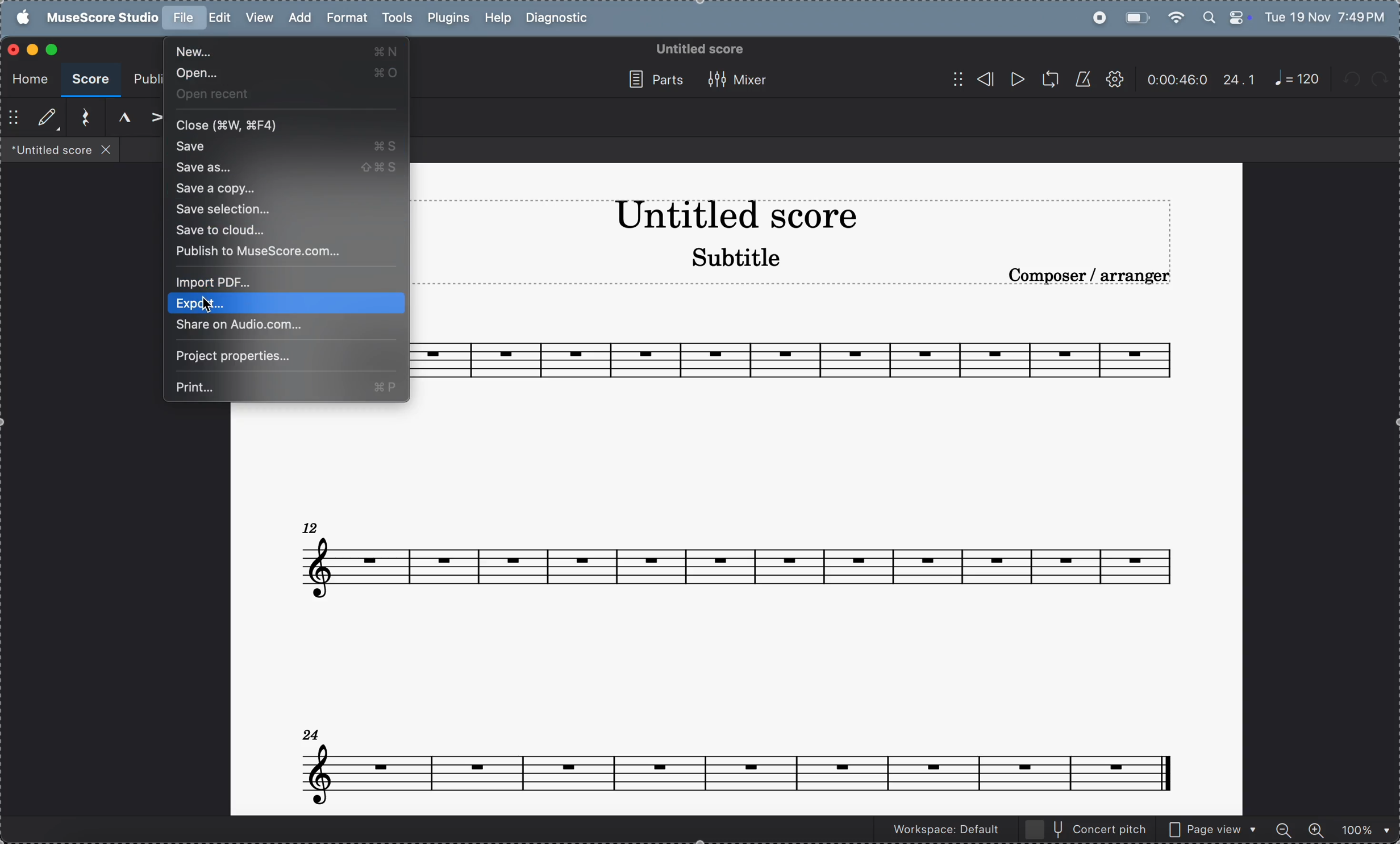  I want to click on files, so click(61, 149).